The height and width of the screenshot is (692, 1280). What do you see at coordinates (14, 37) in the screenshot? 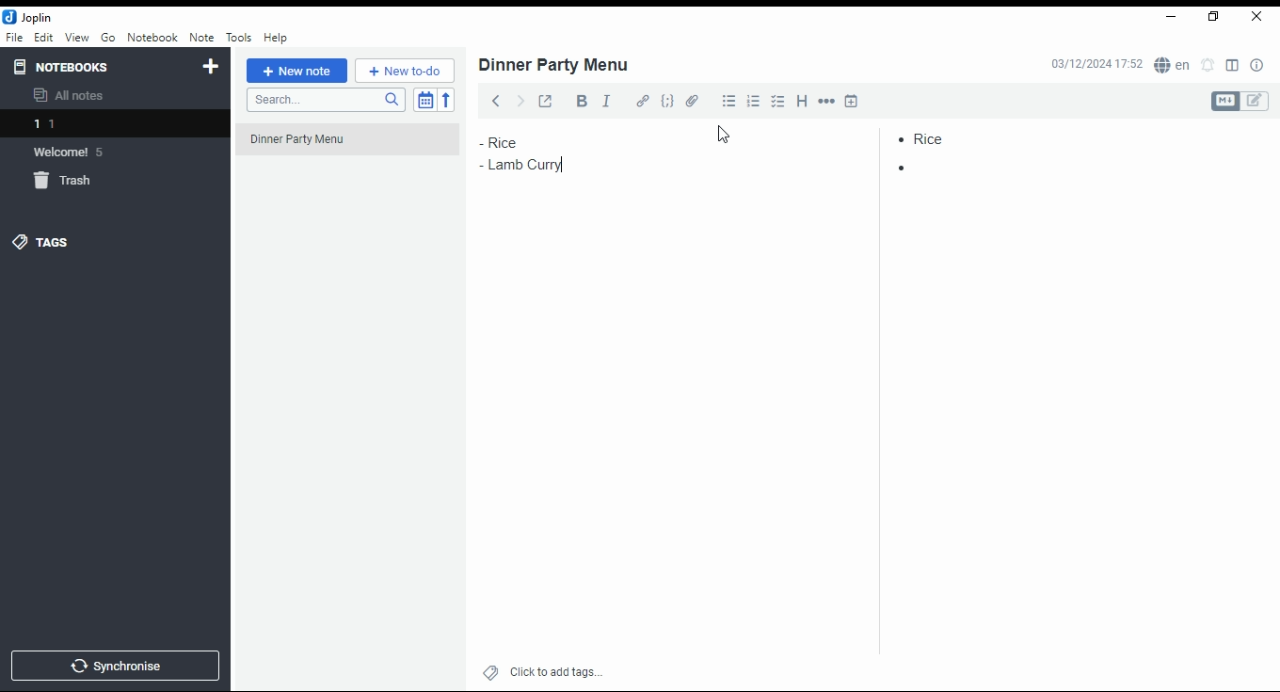
I see `file` at bounding box center [14, 37].